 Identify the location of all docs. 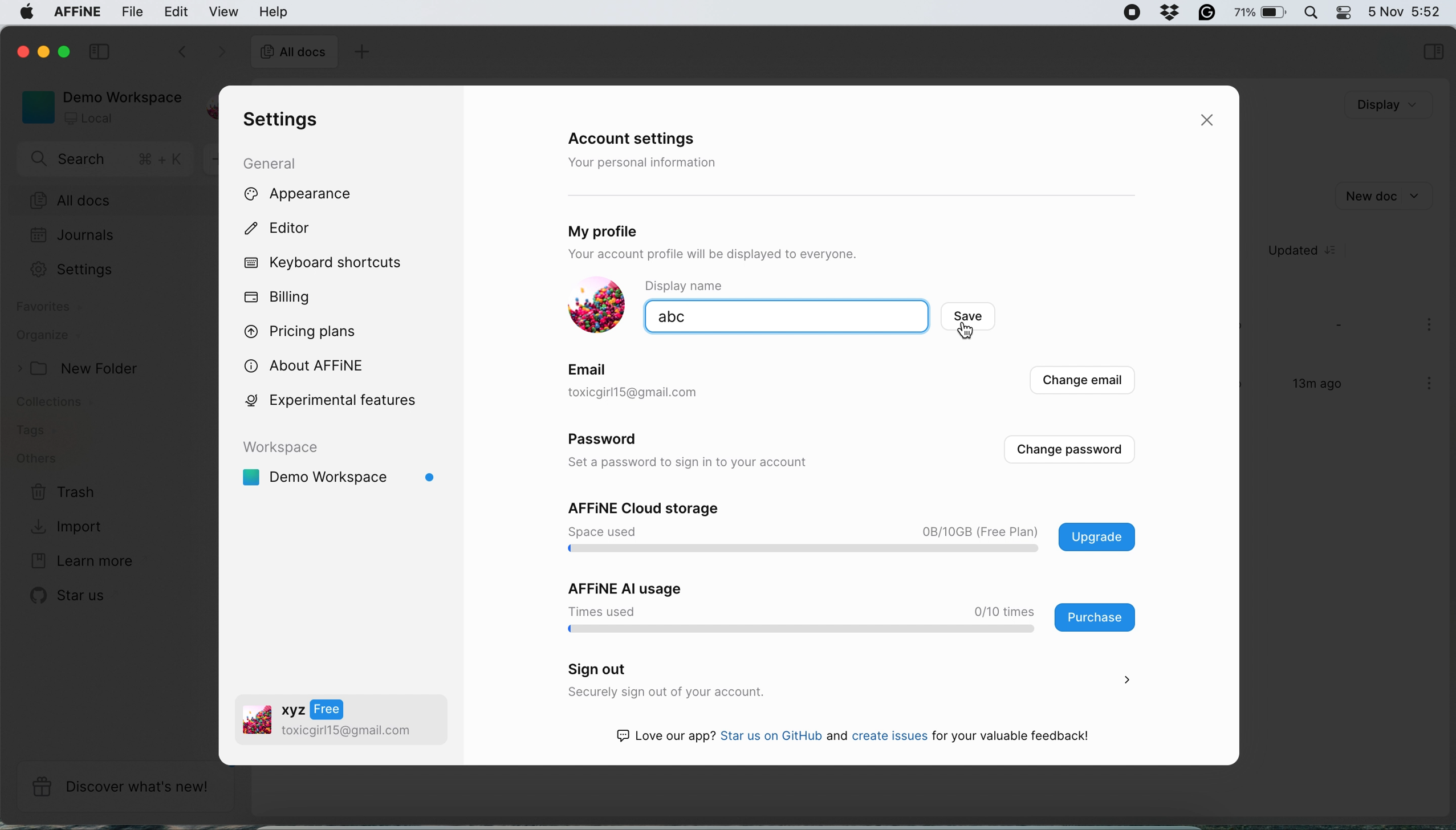
(294, 54).